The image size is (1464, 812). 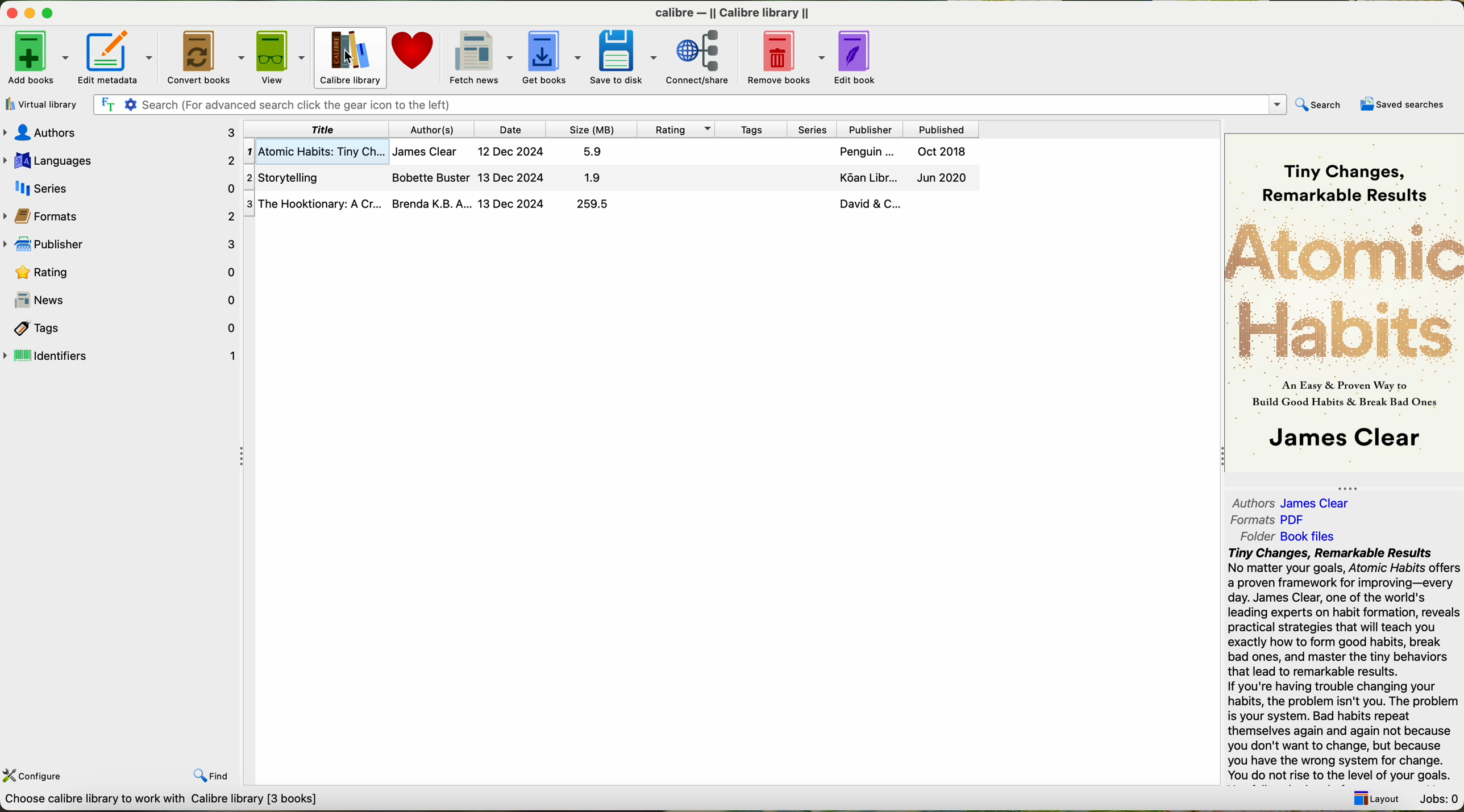 What do you see at coordinates (1437, 796) in the screenshot?
I see `Jobs: 0` at bounding box center [1437, 796].